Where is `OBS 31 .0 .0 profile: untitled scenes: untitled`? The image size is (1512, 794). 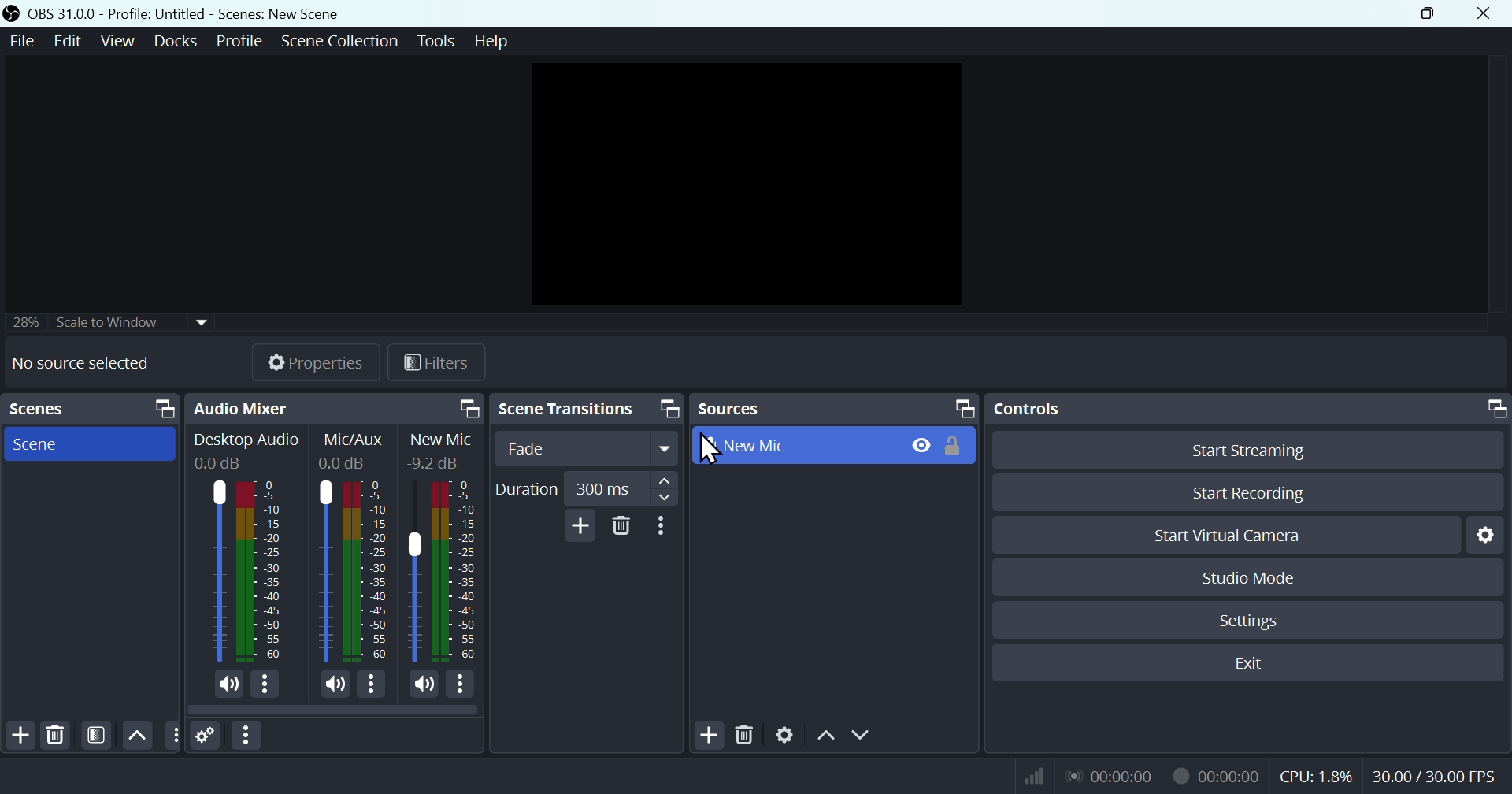 OBS 31 .0 .0 profile: untitled scenes: untitled is located at coordinates (207, 13).